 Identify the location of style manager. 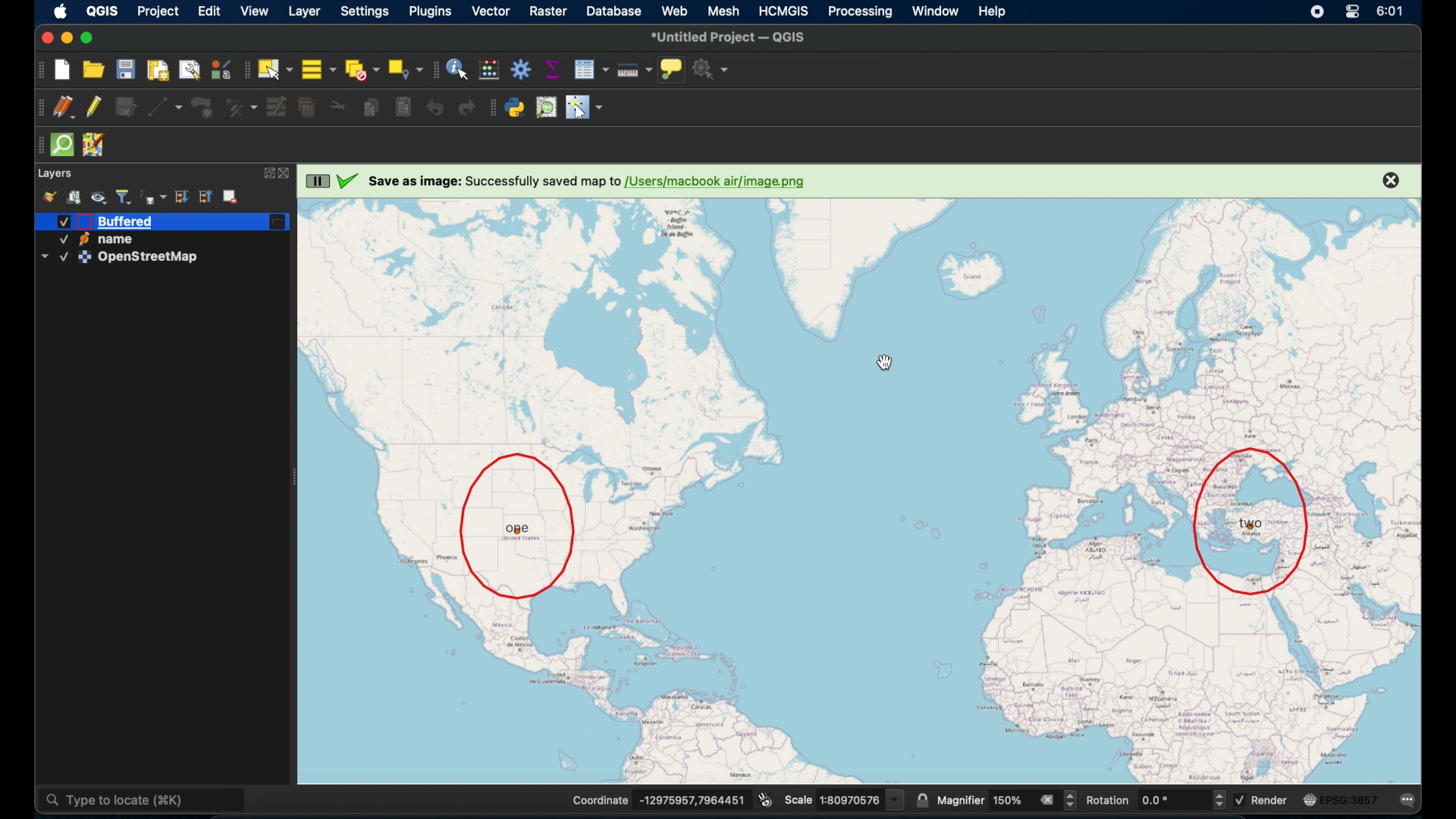
(51, 196).